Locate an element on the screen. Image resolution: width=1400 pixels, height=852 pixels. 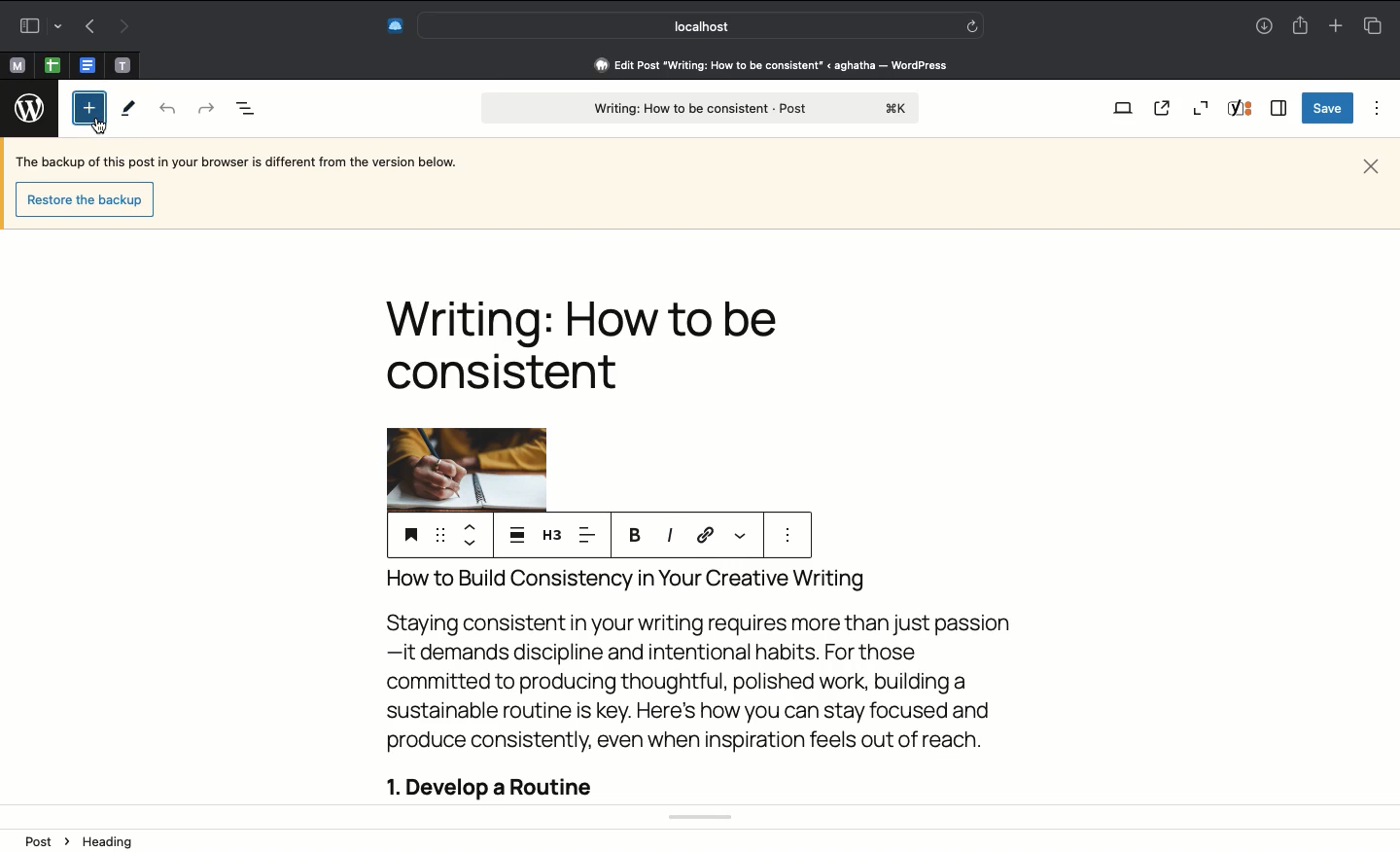
Extensions is located at coordinates (384, 27).